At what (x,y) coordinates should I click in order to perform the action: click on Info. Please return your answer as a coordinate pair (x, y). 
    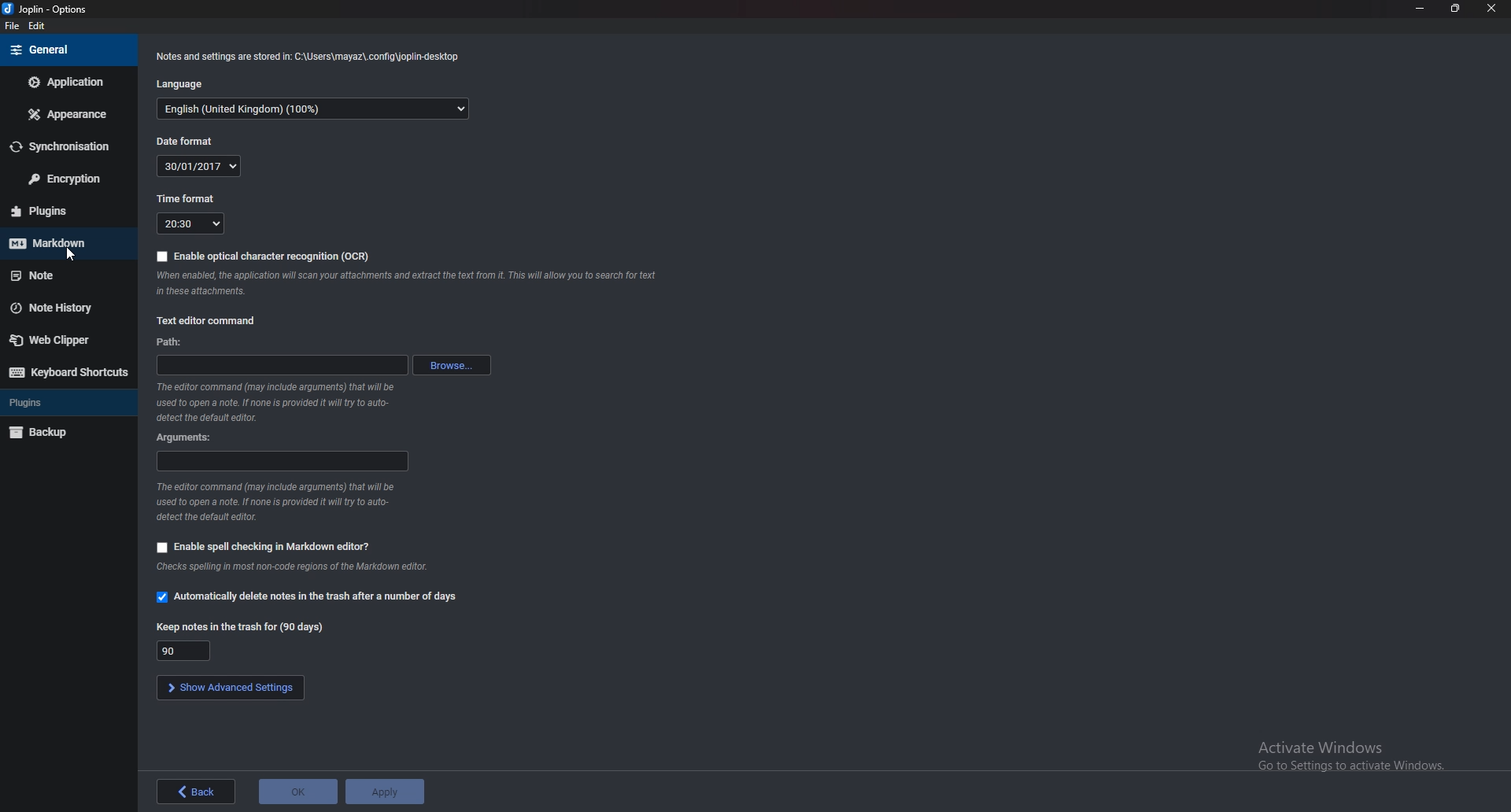
    Looking at the image, I should click on (311, 57).